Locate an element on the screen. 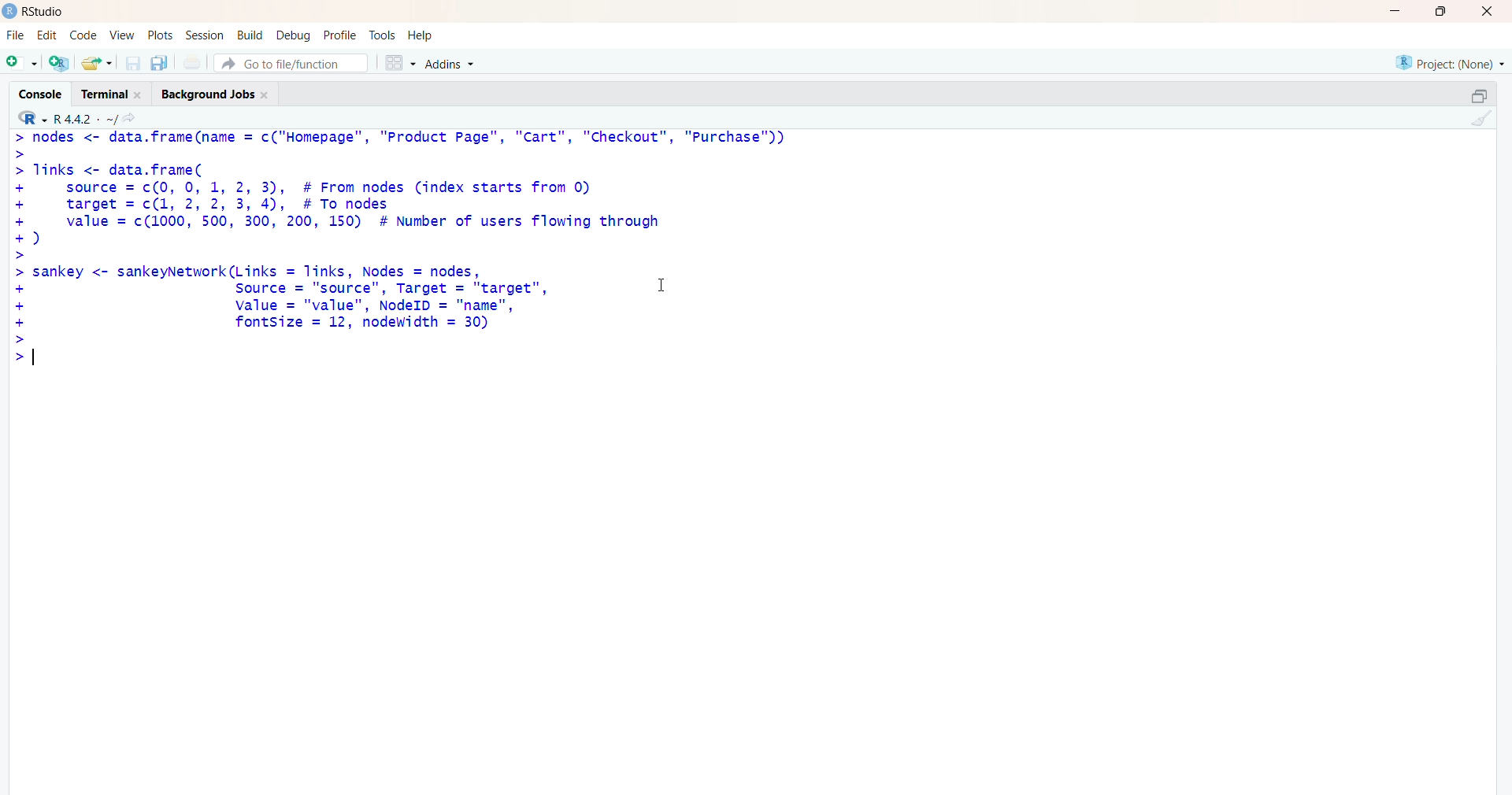 Image resolution: width=1512 pixels, height=795 pixels. help is located at coordinates (429, 35).